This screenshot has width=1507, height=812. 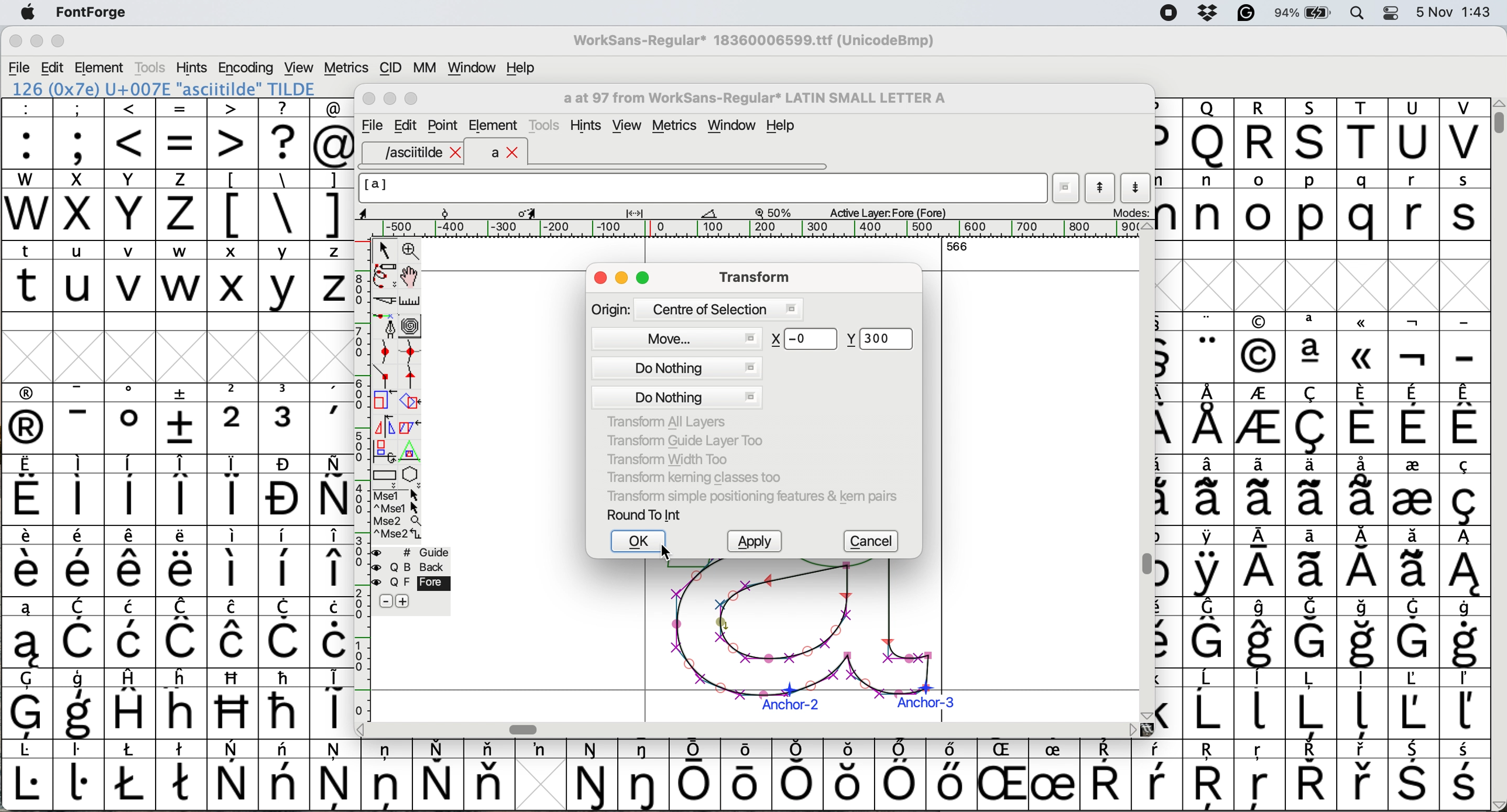 I want to click on symbol, so click(x=1414, y=632).